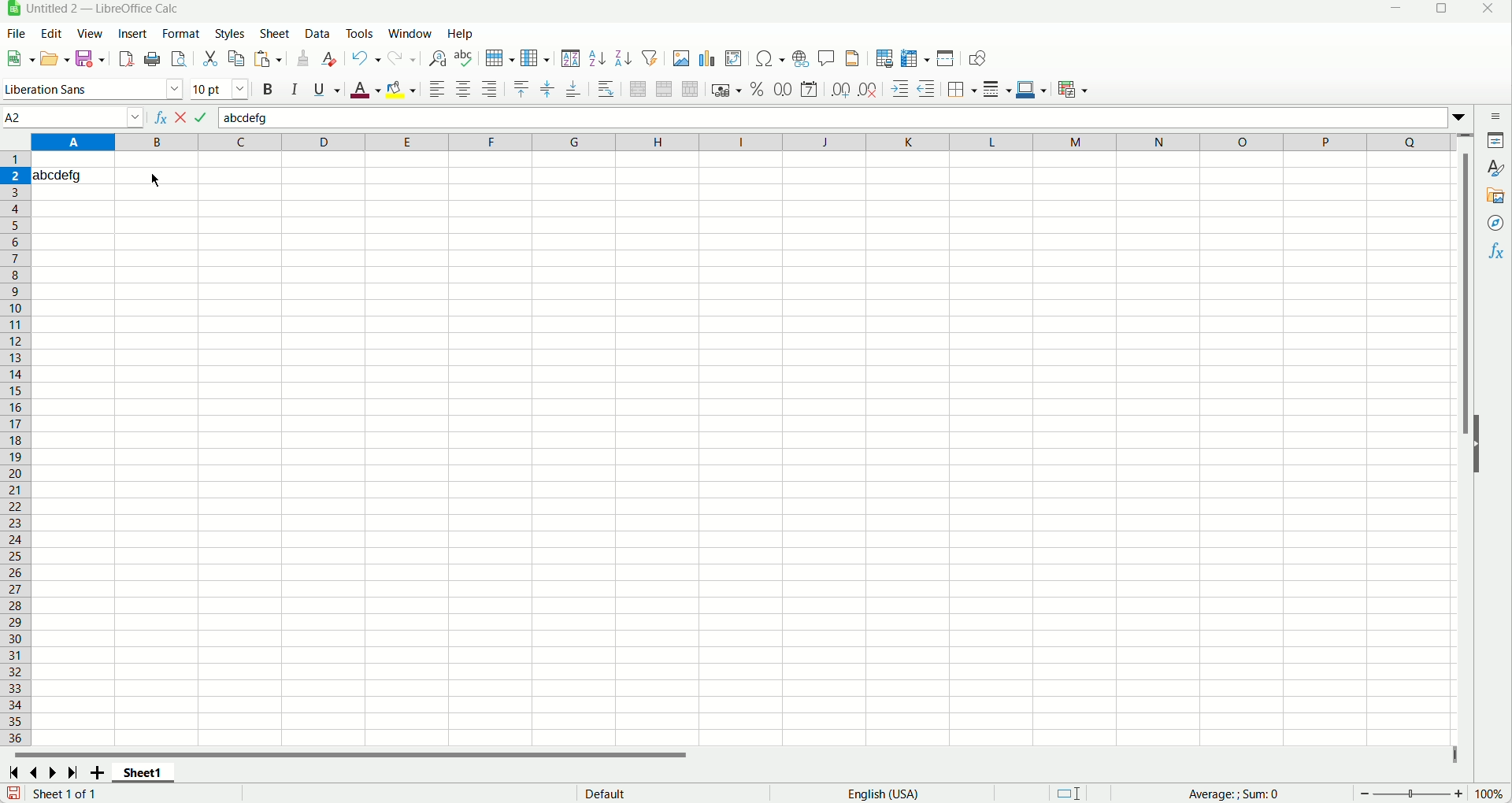  What do you see at coordinates (137, 34) in the screenshot?
I see `insert` at bounding box center [137, 34].